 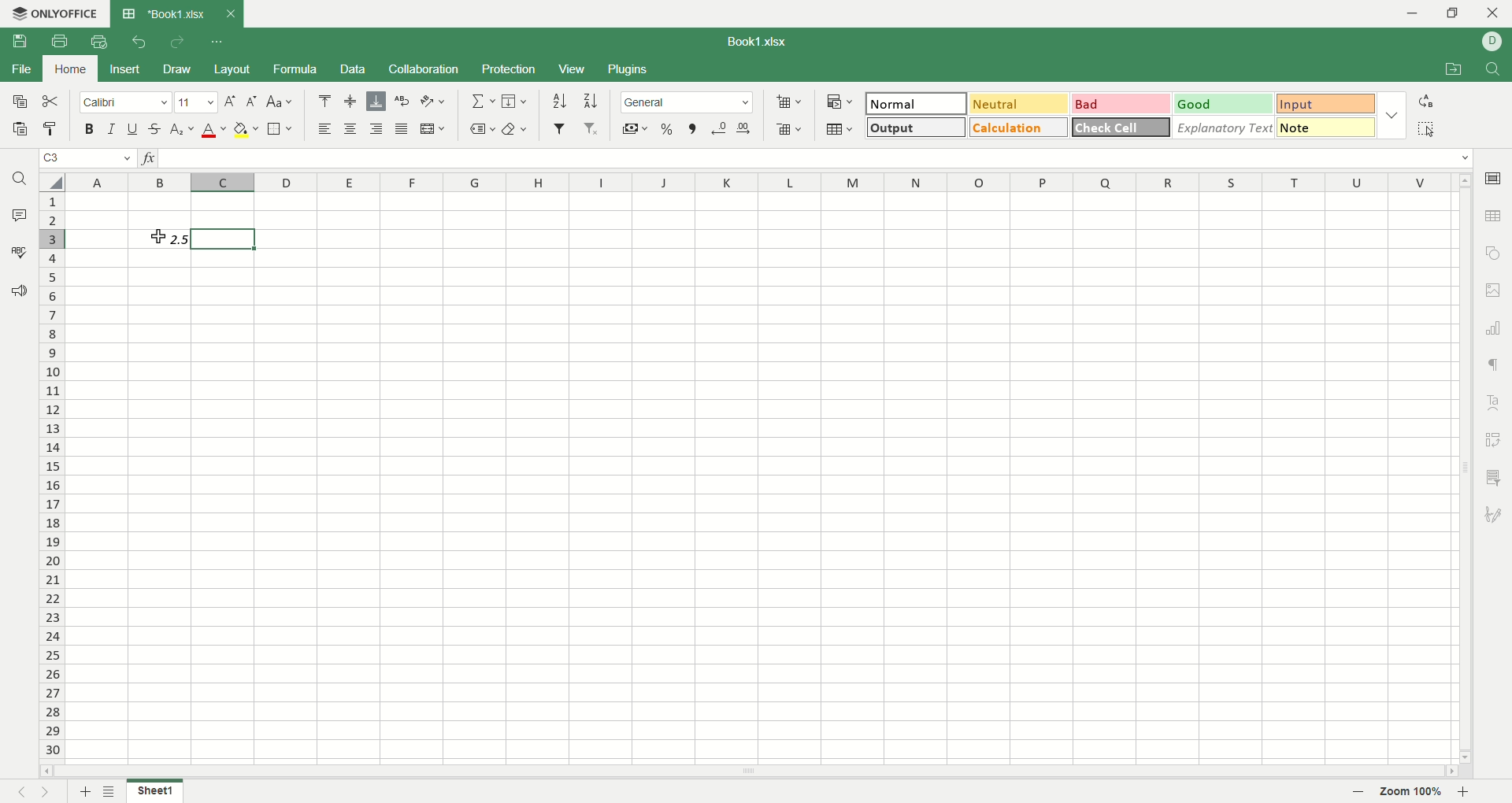 What do you see at coordinates (432, 128) in the screenshot?
I see `merge center` at bounding box center [432, 128].